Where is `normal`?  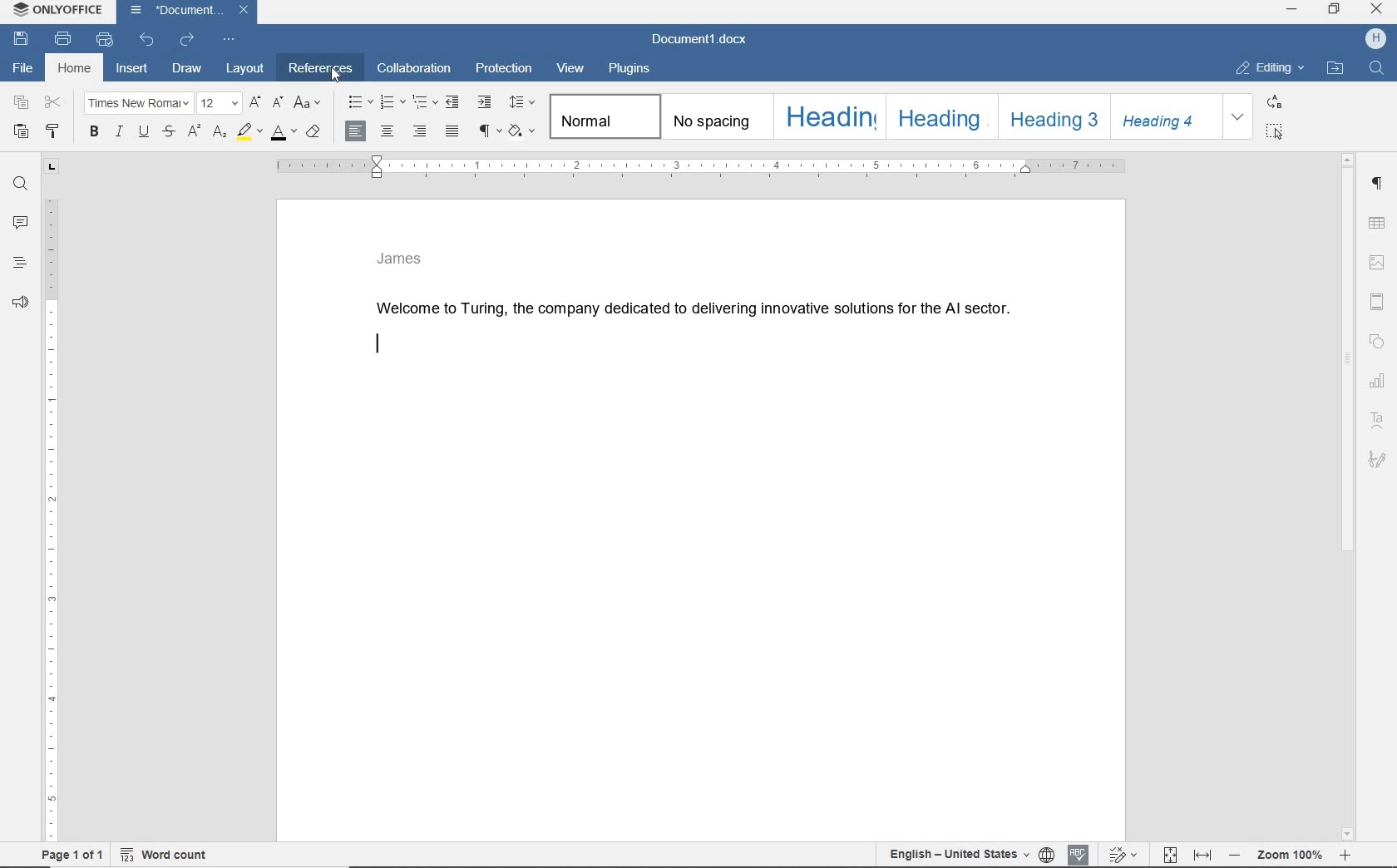
normal is located at coordinates (605, 118).